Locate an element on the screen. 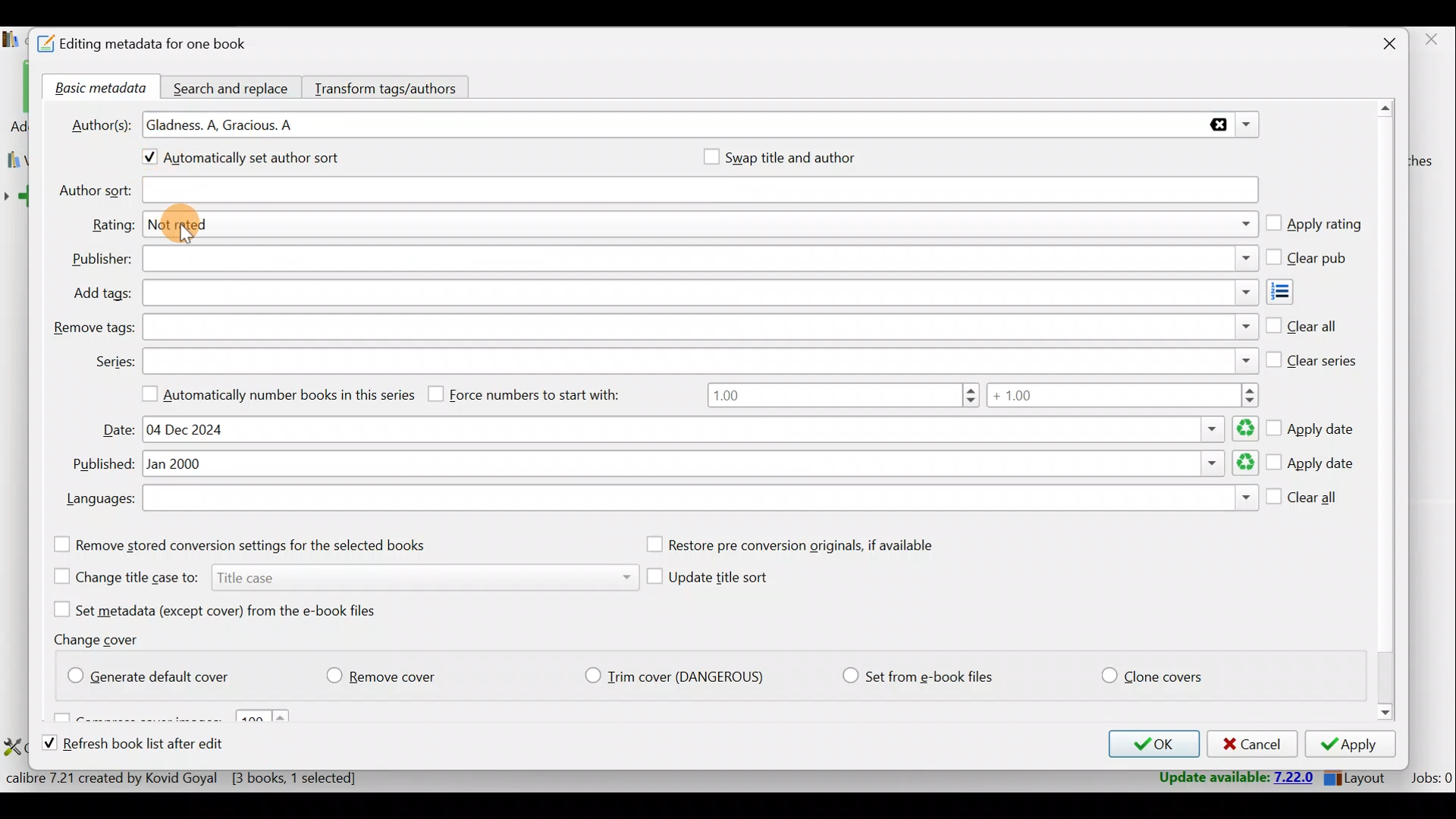 The width and height of the screenshot is (1456, 819). Trim cover (Dangerious) is located at coordinates (679, 678).